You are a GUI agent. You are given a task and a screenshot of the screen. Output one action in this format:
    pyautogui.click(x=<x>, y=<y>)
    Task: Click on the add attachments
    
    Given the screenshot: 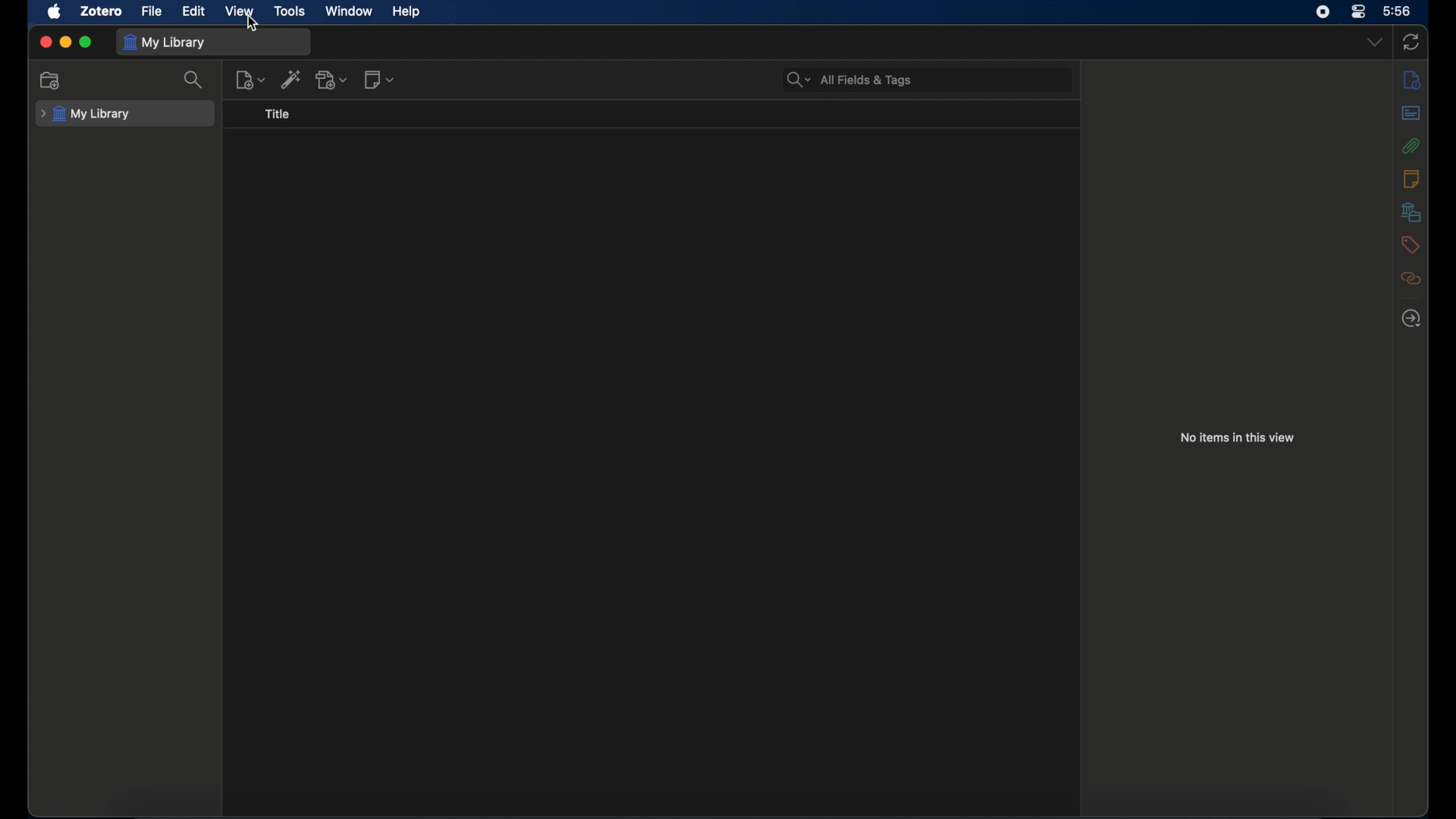 What is the action you would take?
    pyautogui.click(x=333, y=80)
    